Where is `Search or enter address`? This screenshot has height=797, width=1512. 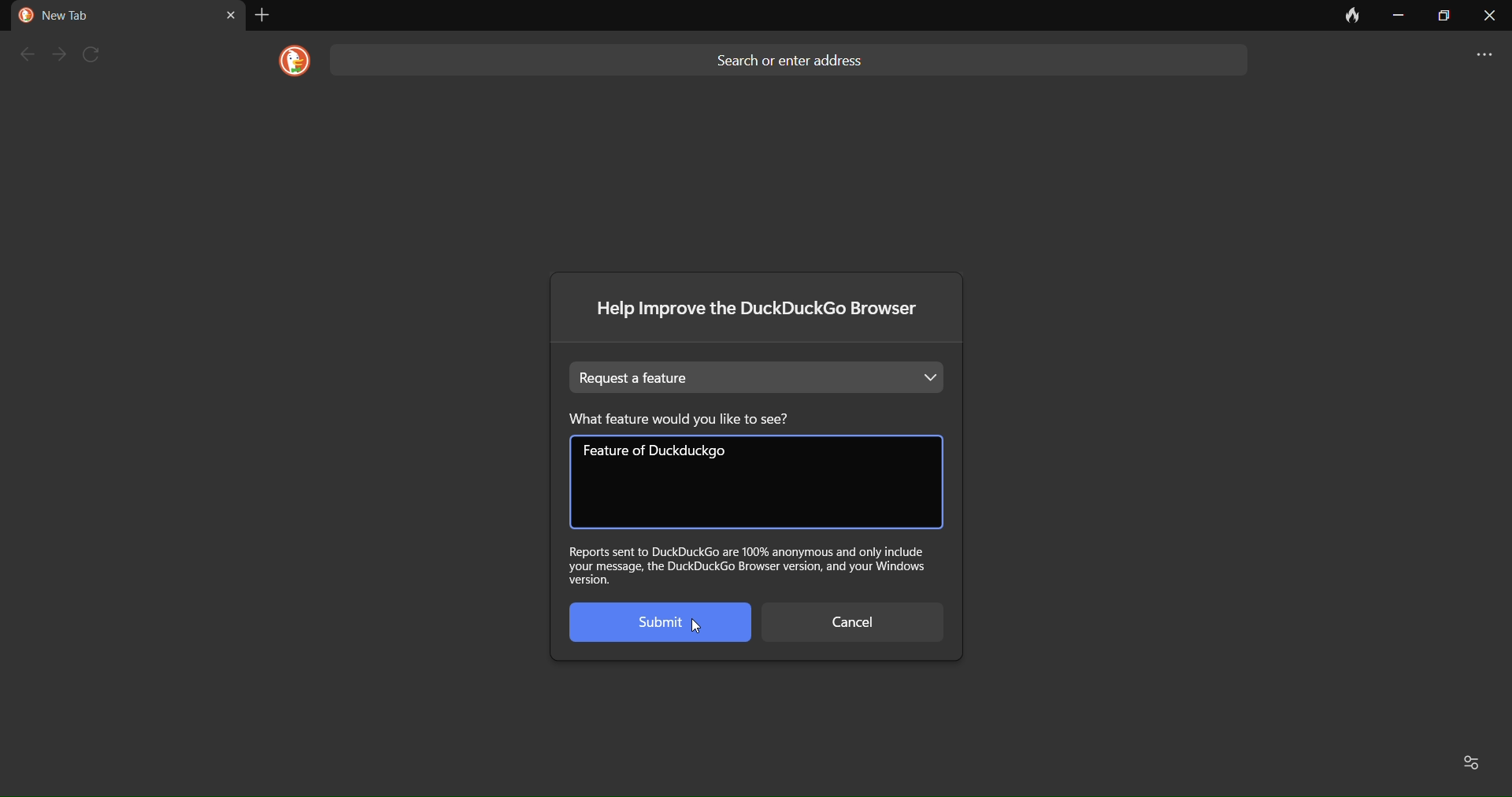
Search or enter address is located at coordinates (795, 57).